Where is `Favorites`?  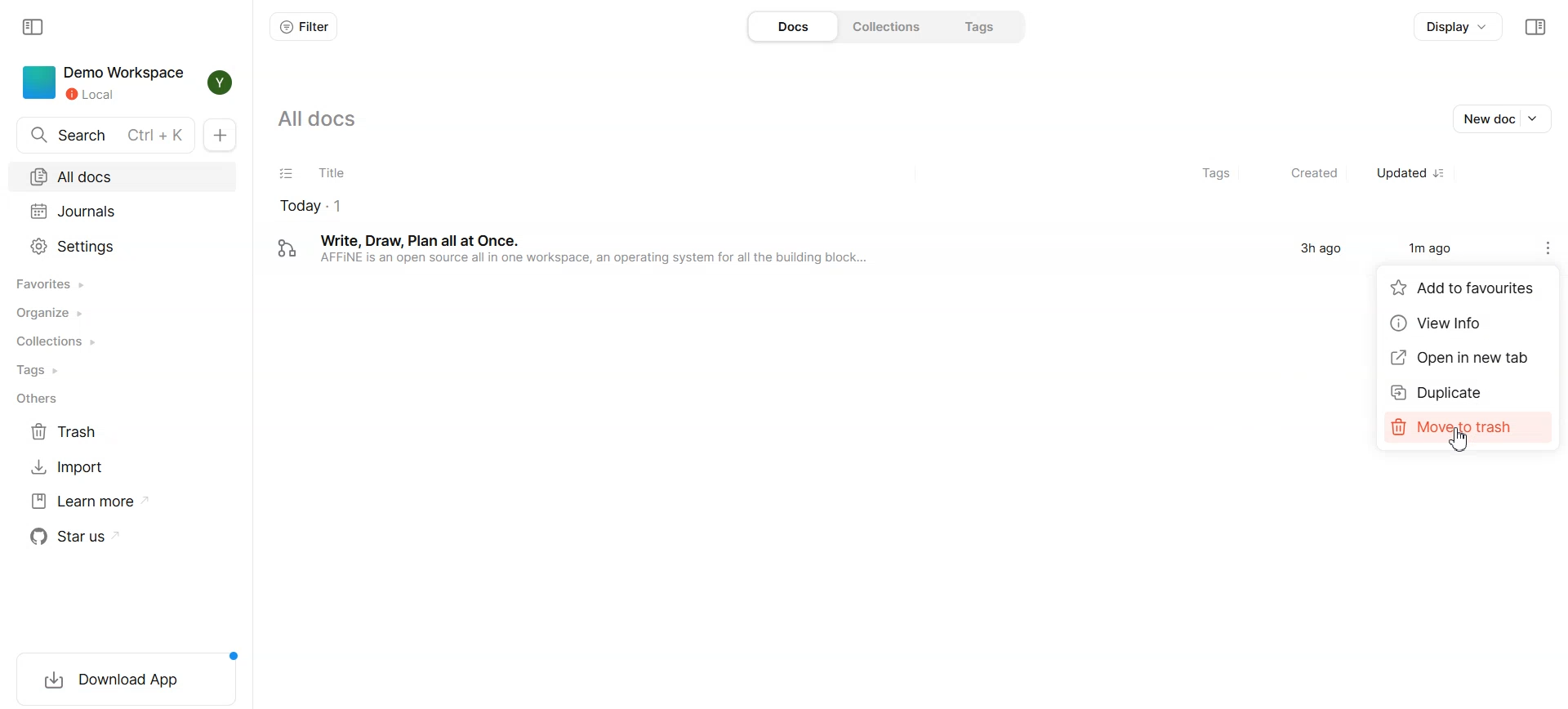 Favorites is located at coordinates (122, 283).